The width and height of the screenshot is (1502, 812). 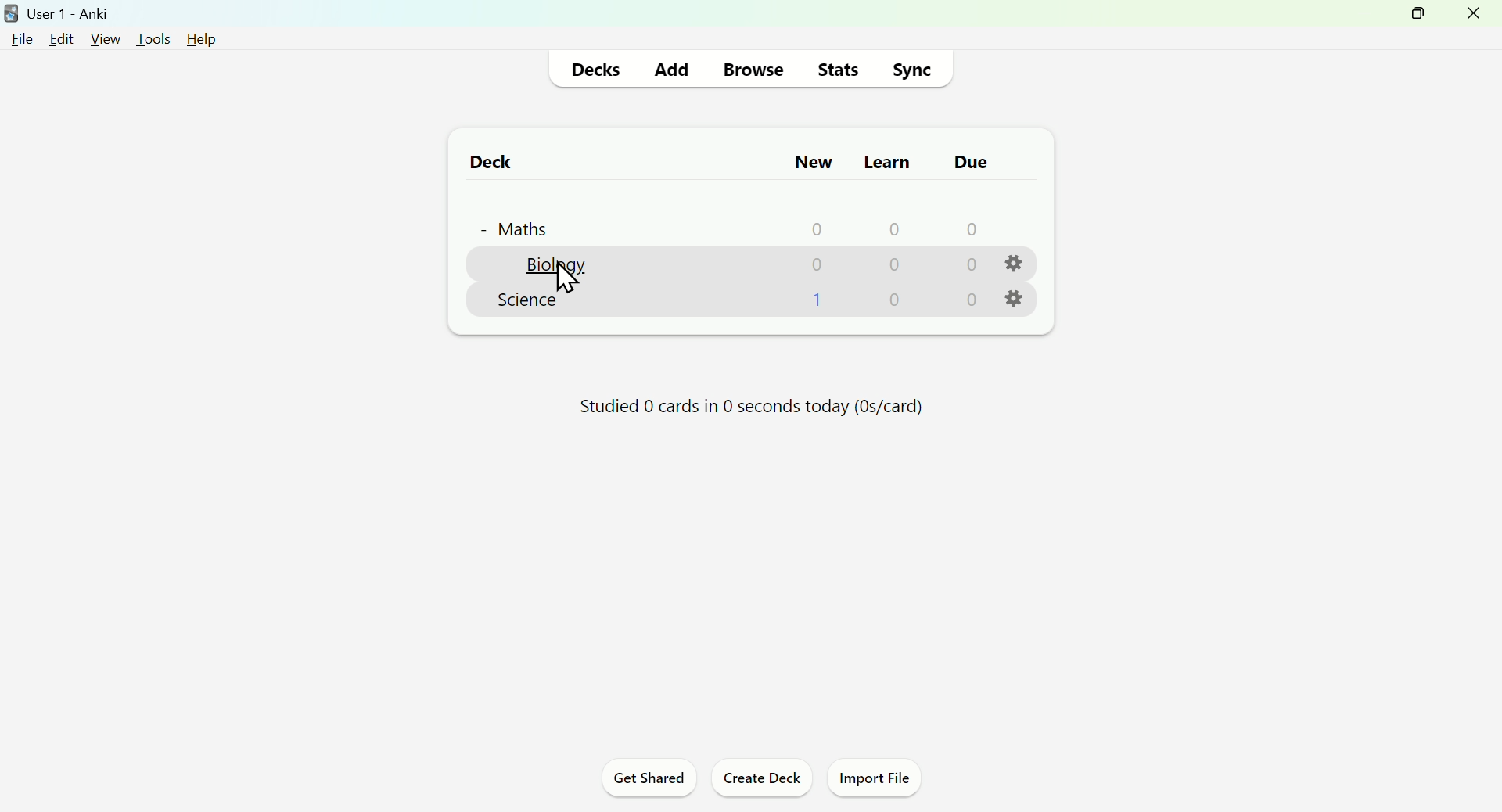 I want to click on Learn, so click(x=889, y=161).